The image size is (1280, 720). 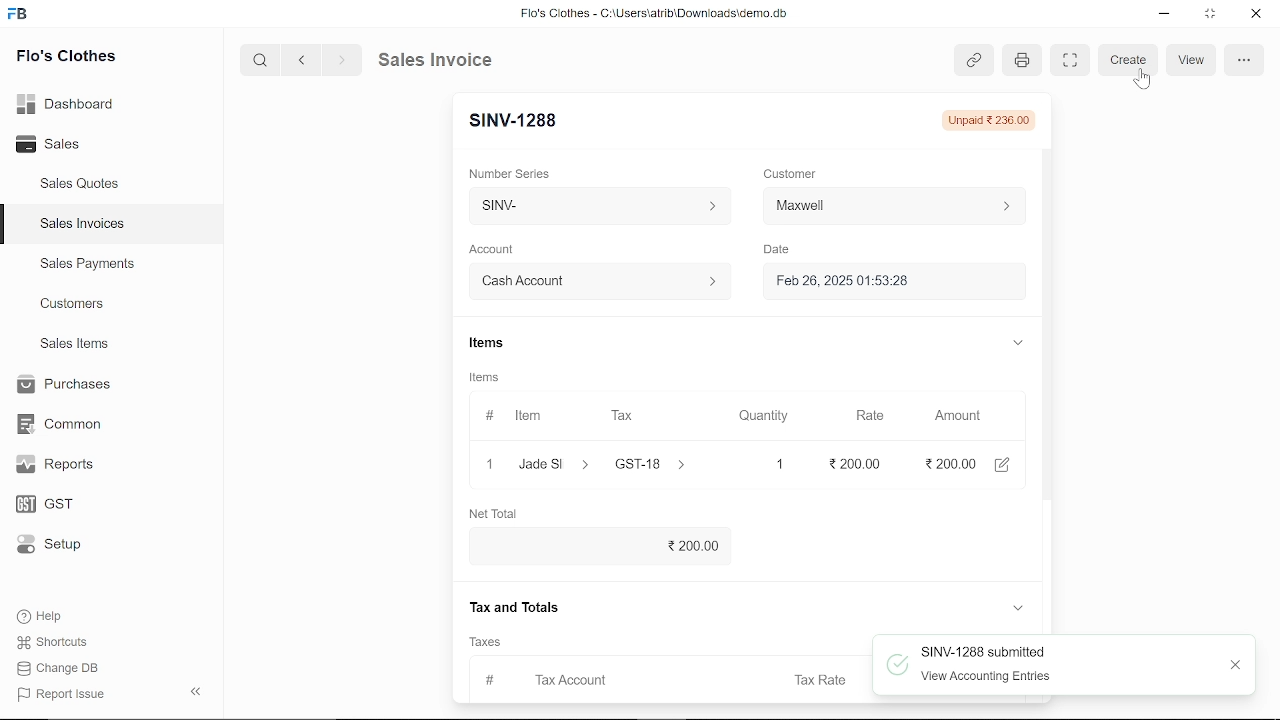 What do you see at coordinates (626, 416) in the screenshot?
I see `Tax` at bounding box center [626, 416].